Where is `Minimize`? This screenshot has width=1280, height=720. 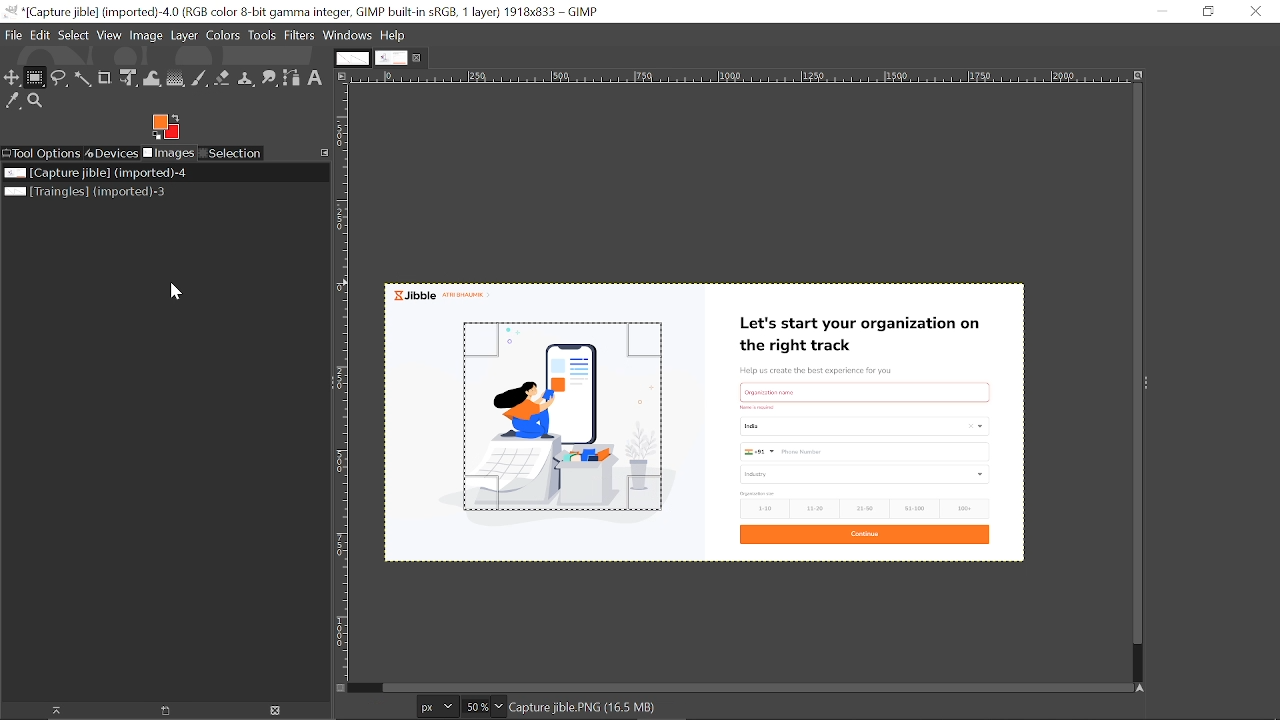
Minimize is located at coordinates (1163, 12).